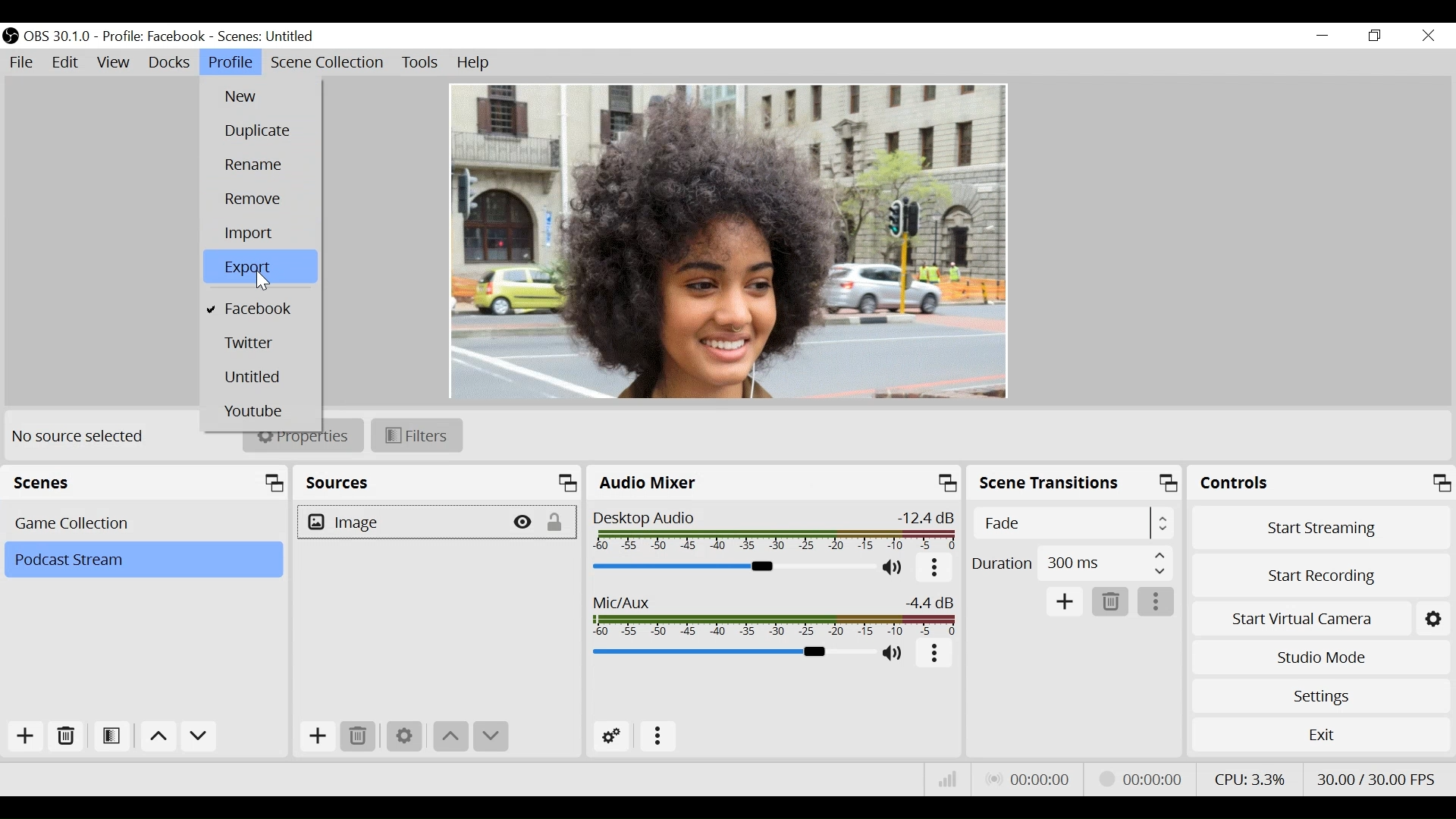 Image resolution: width=1456 pixels, height=819 pixels. I want to click on Add, so click(317, 737).